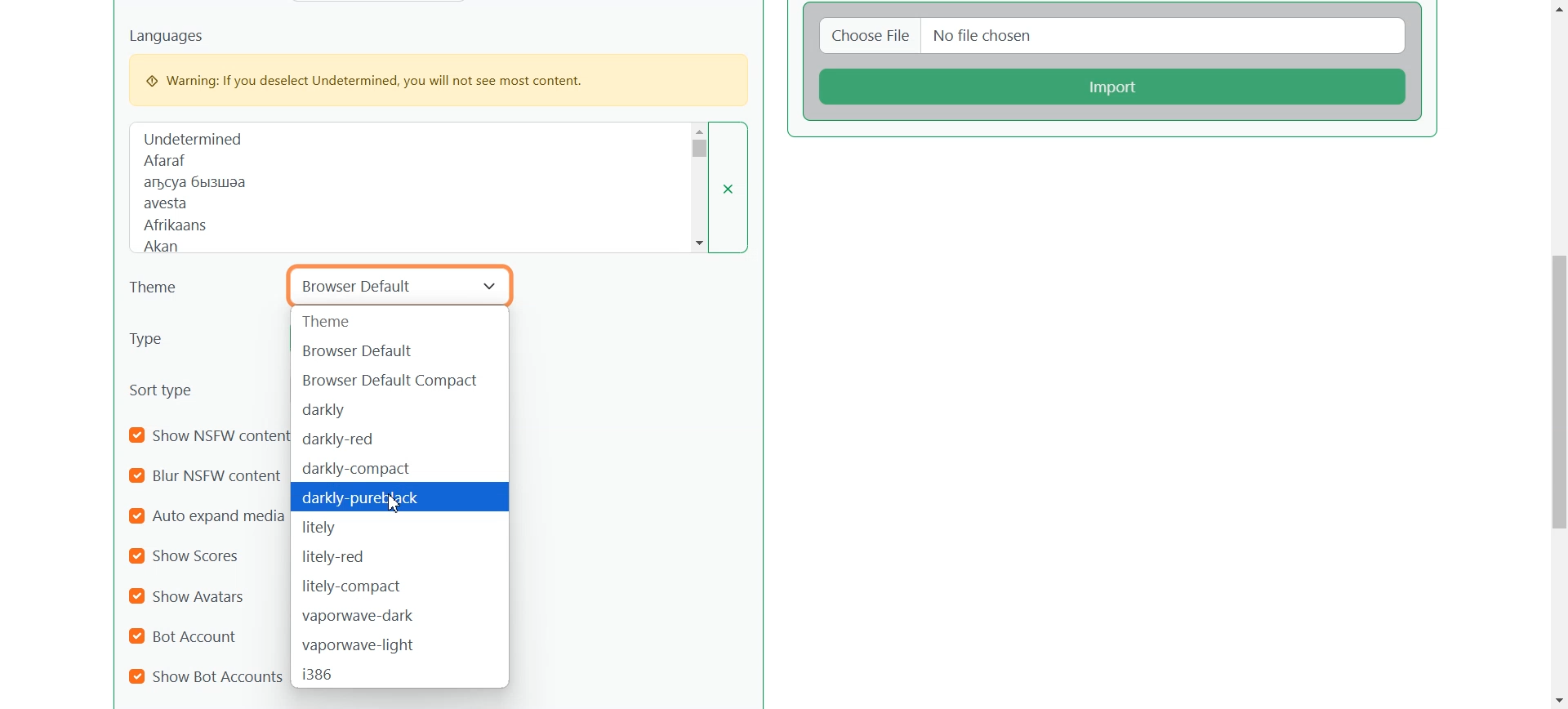 The image size is (1568, 709). I want to click on Show NSFW content, so click(209, 437).